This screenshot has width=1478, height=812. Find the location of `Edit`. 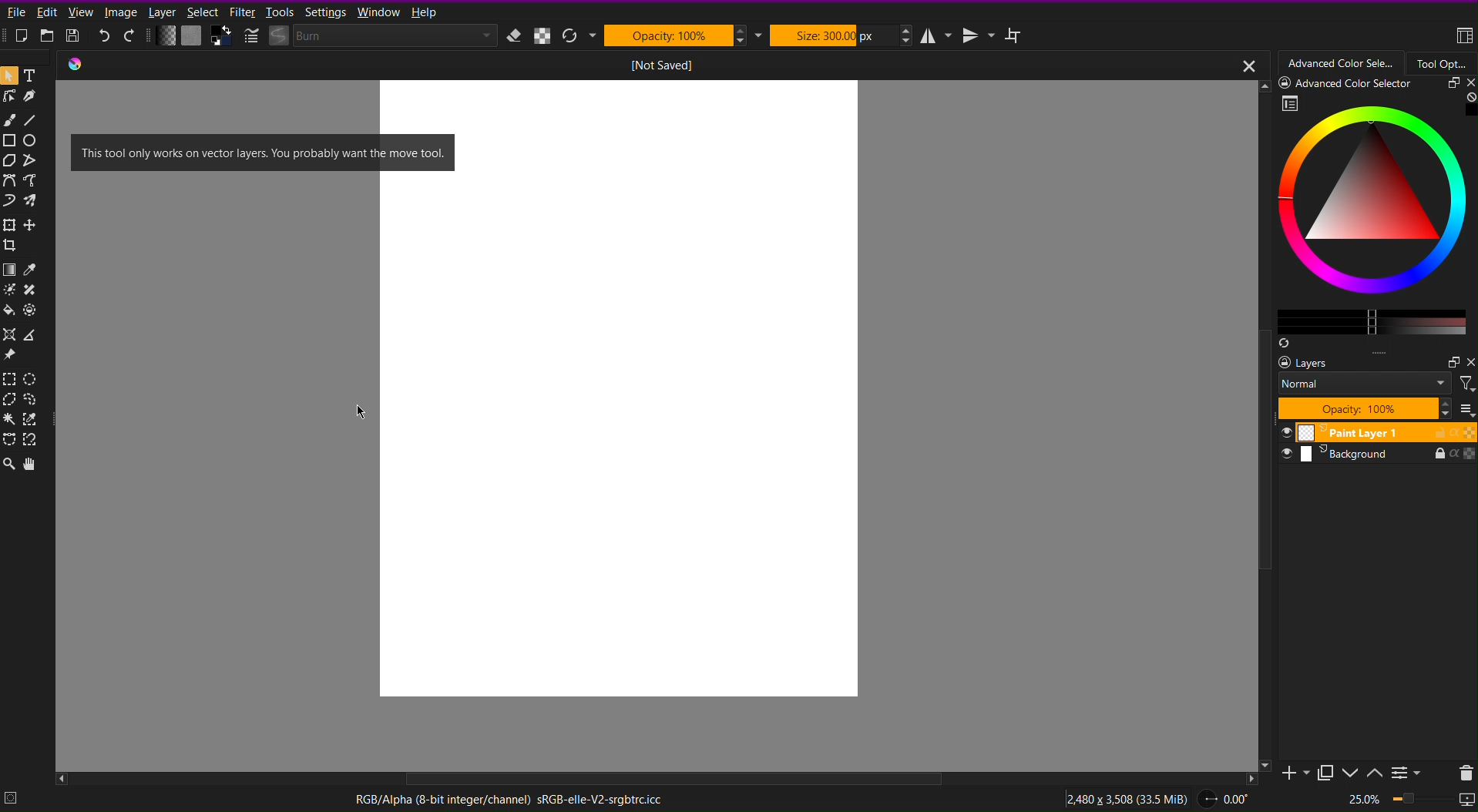

Edit is located at coordinates (49, 15).